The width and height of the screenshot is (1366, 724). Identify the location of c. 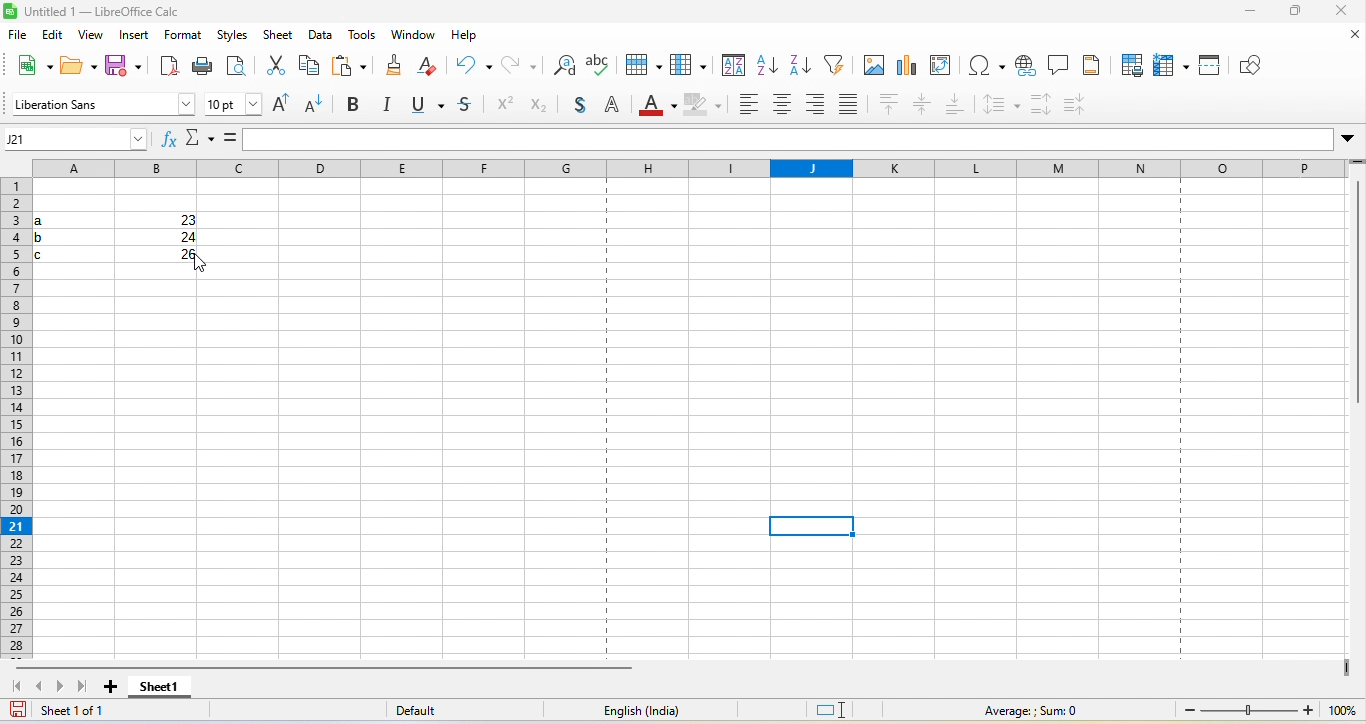
(54, 253).